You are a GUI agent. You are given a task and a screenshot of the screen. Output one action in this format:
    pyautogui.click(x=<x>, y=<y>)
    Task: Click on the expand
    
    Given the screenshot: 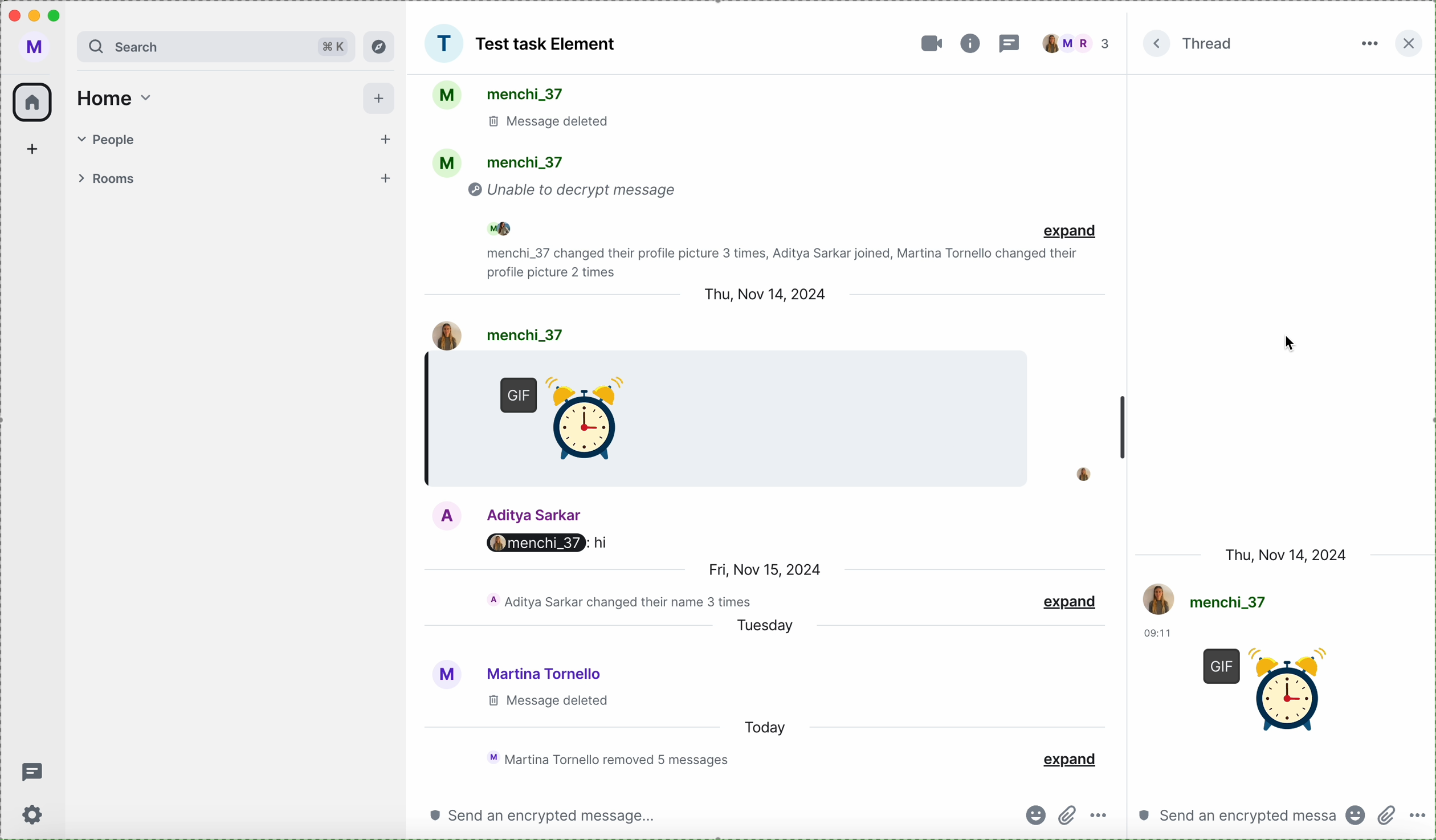 What is the action you would take?
    pyautogui.click(x=1158, y=45)
    